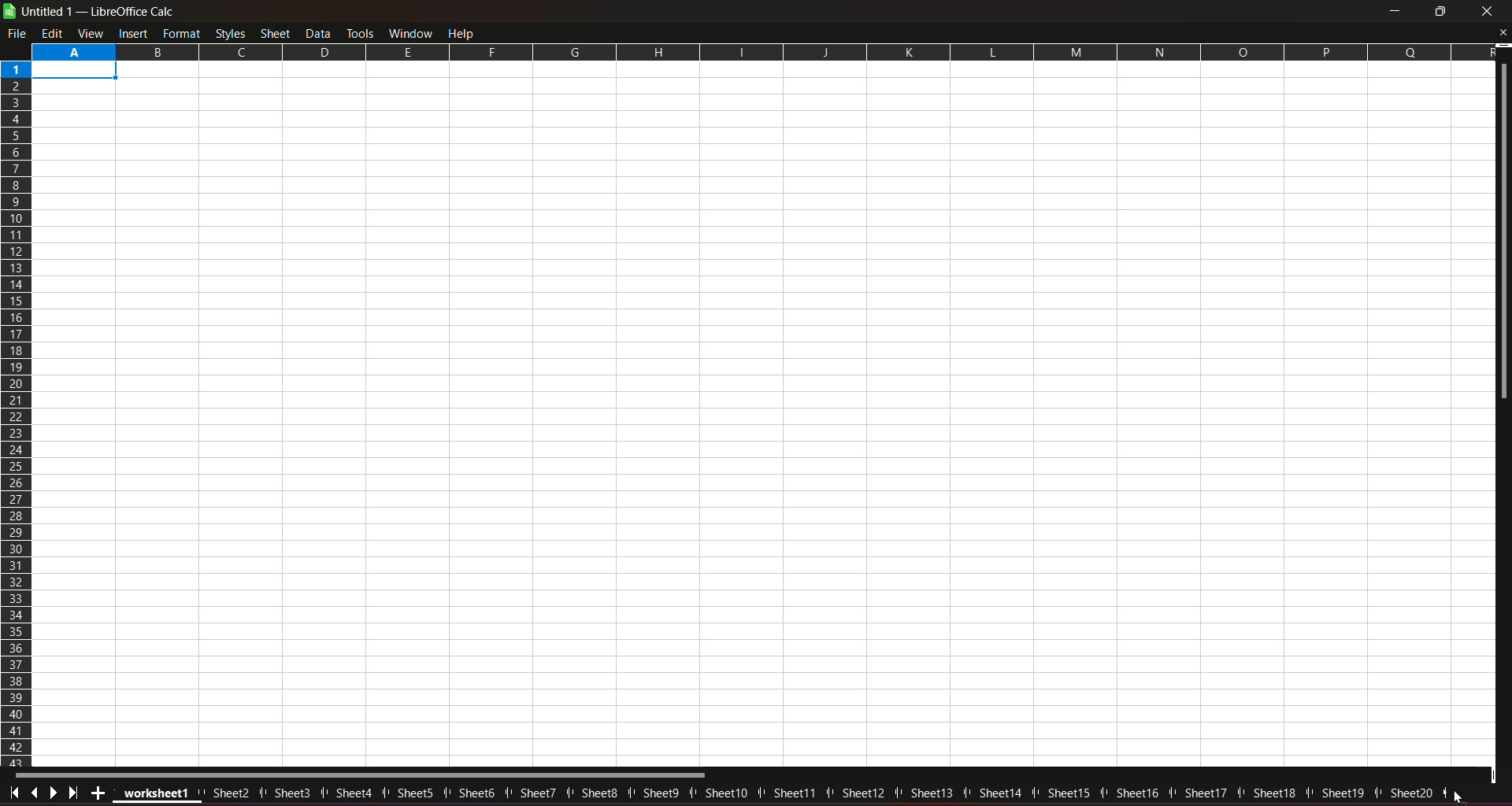 The width and height of the screenshot is (1512, 806). I want to click on Window, so click(409, 32).